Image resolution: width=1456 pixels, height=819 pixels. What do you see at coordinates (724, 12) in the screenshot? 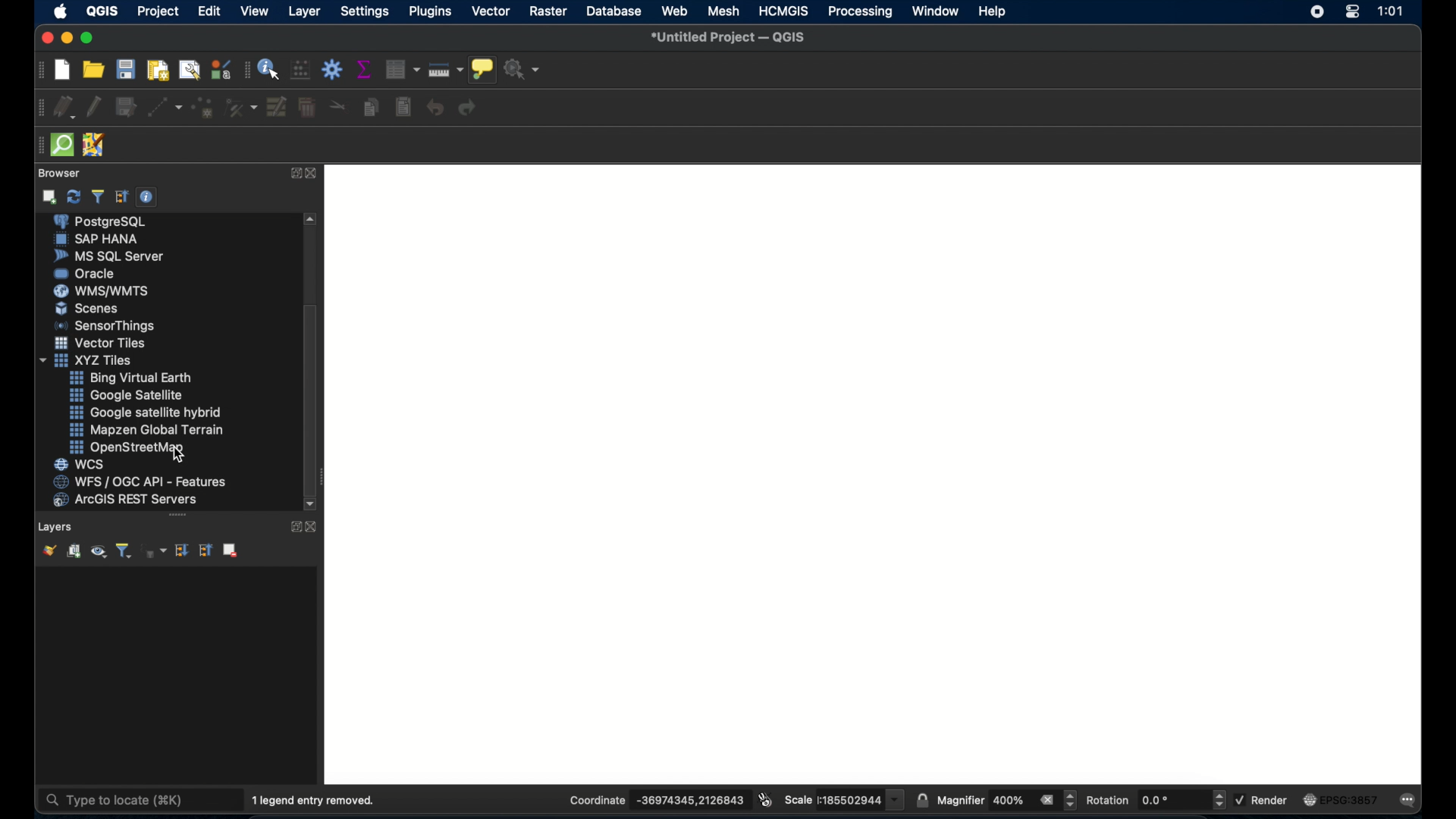
I see `mesh` at bounding box center [724, 12].